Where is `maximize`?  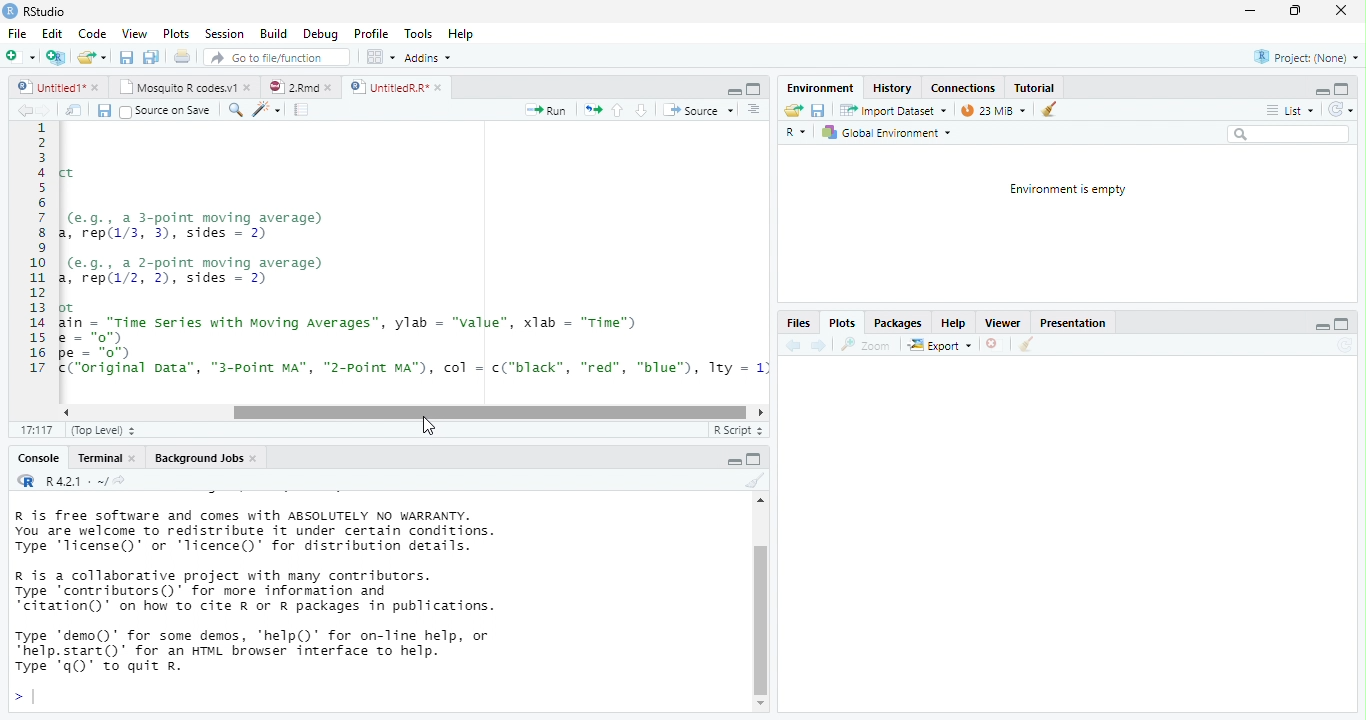
maximize is located at coordinates (1340, 325).